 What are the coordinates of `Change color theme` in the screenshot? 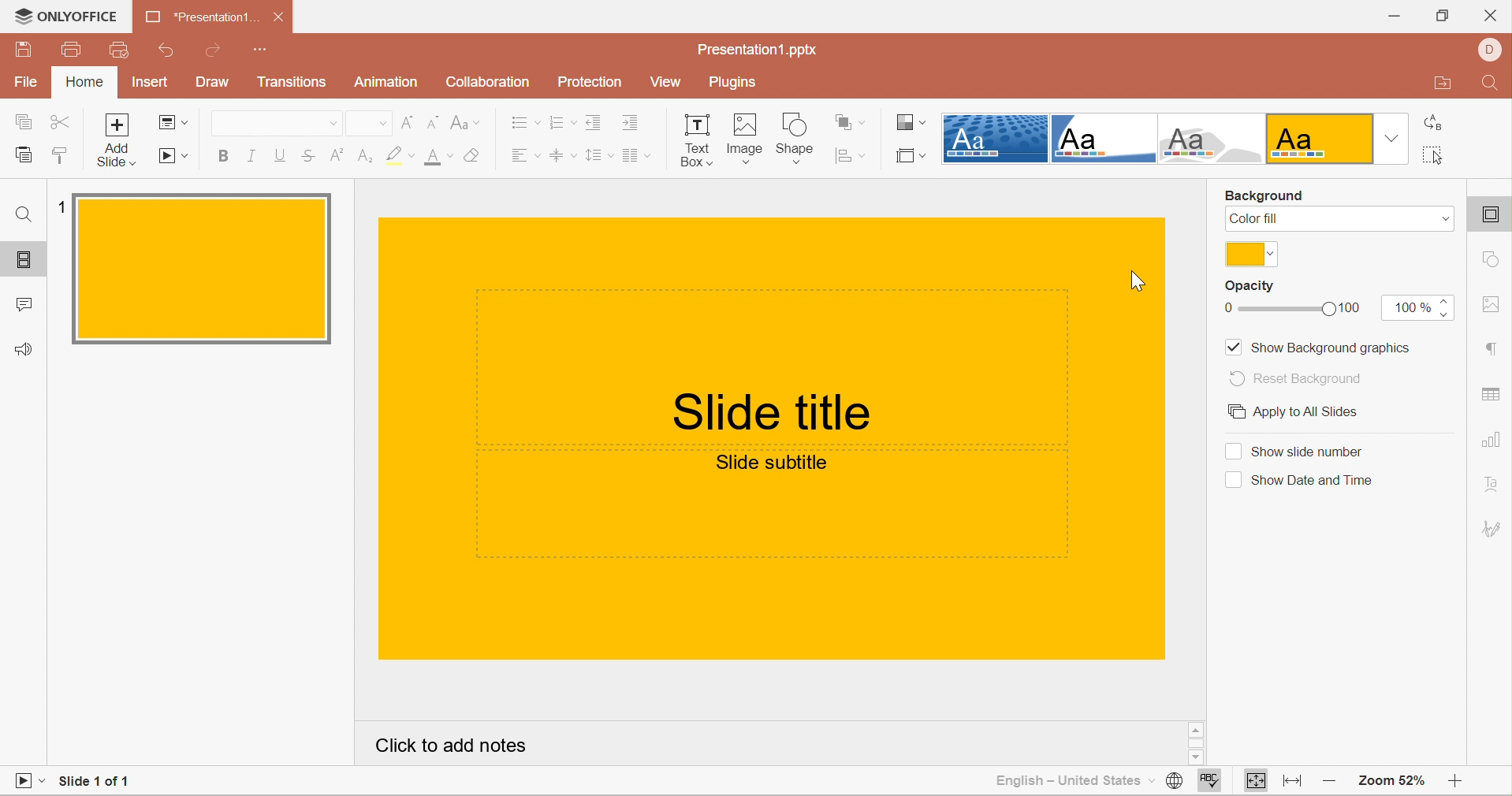 It's located at (911, 122).